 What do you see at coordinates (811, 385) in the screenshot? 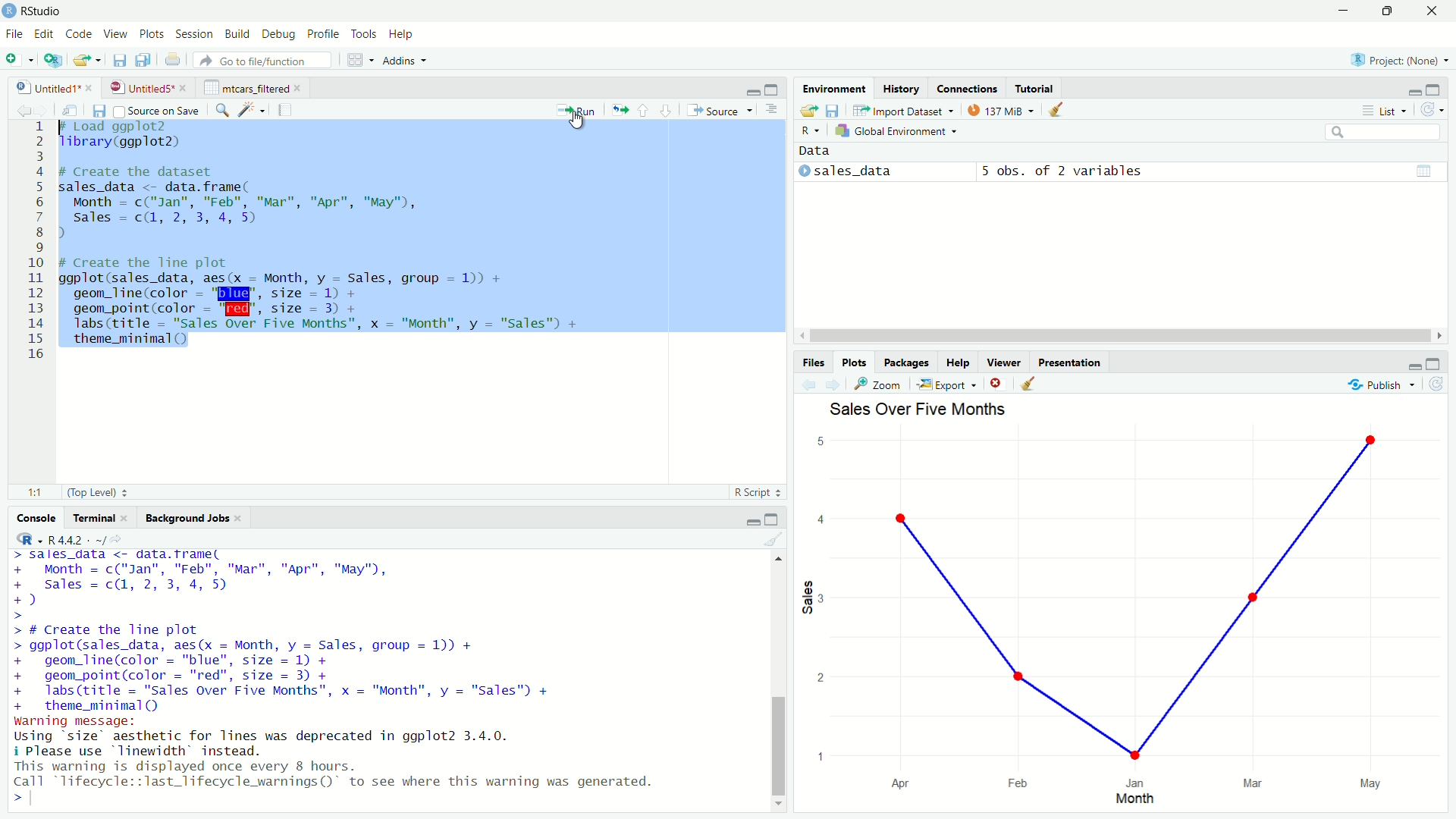
I see `back` at bounding box center [811, 385].